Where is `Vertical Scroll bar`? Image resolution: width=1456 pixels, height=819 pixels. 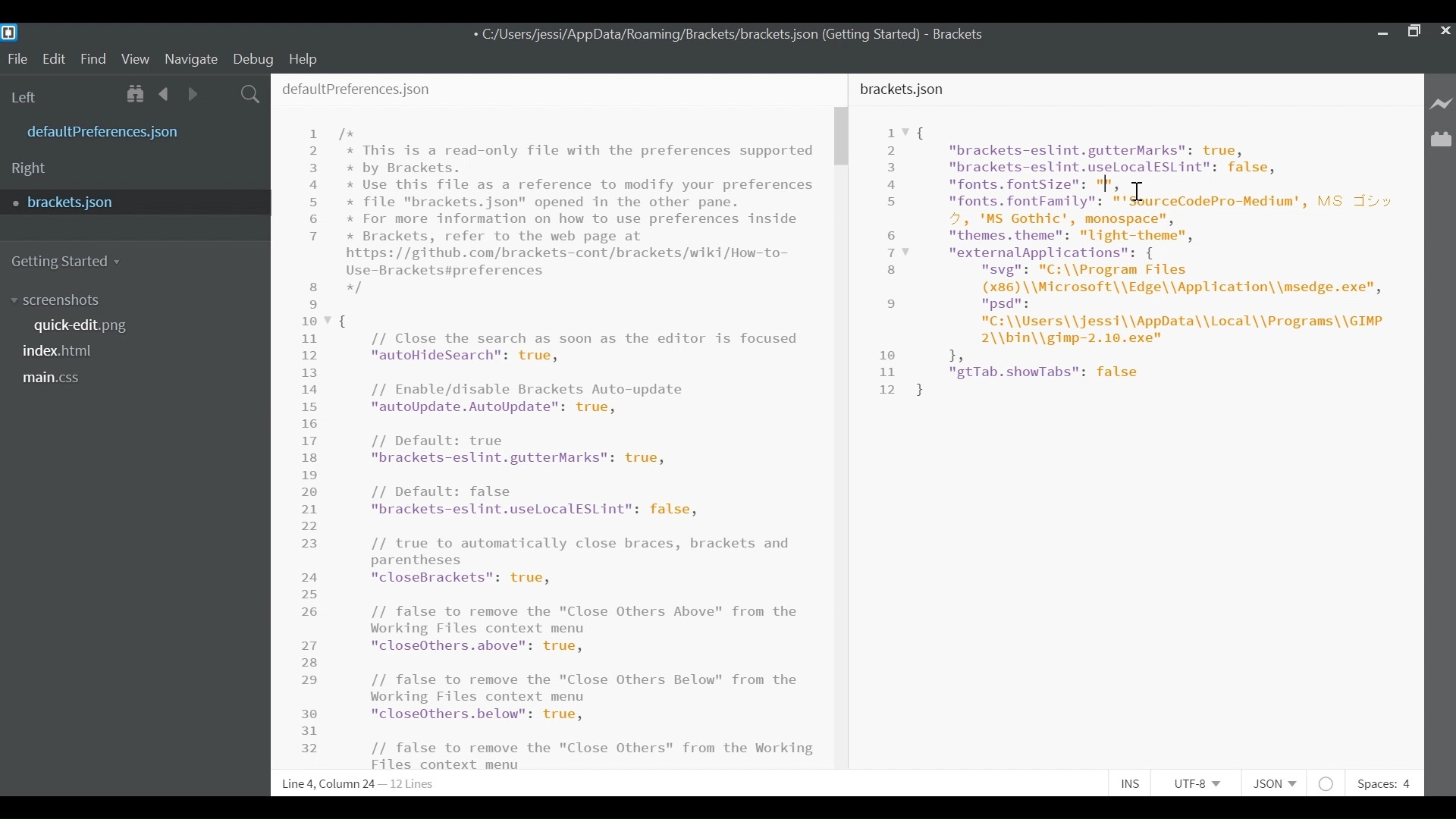 Vertical Scroll bar is located at coordinates (840, 137).